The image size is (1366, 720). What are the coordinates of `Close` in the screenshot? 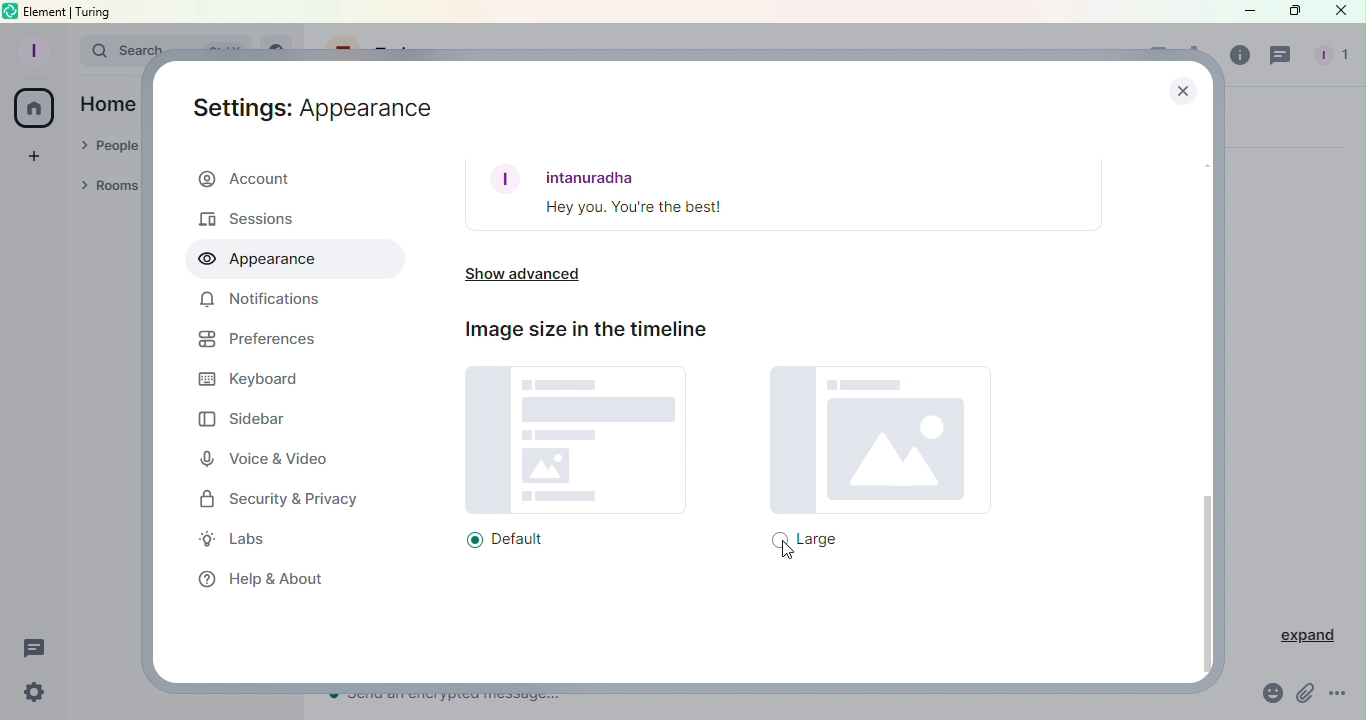 It's located at (1341, 15).